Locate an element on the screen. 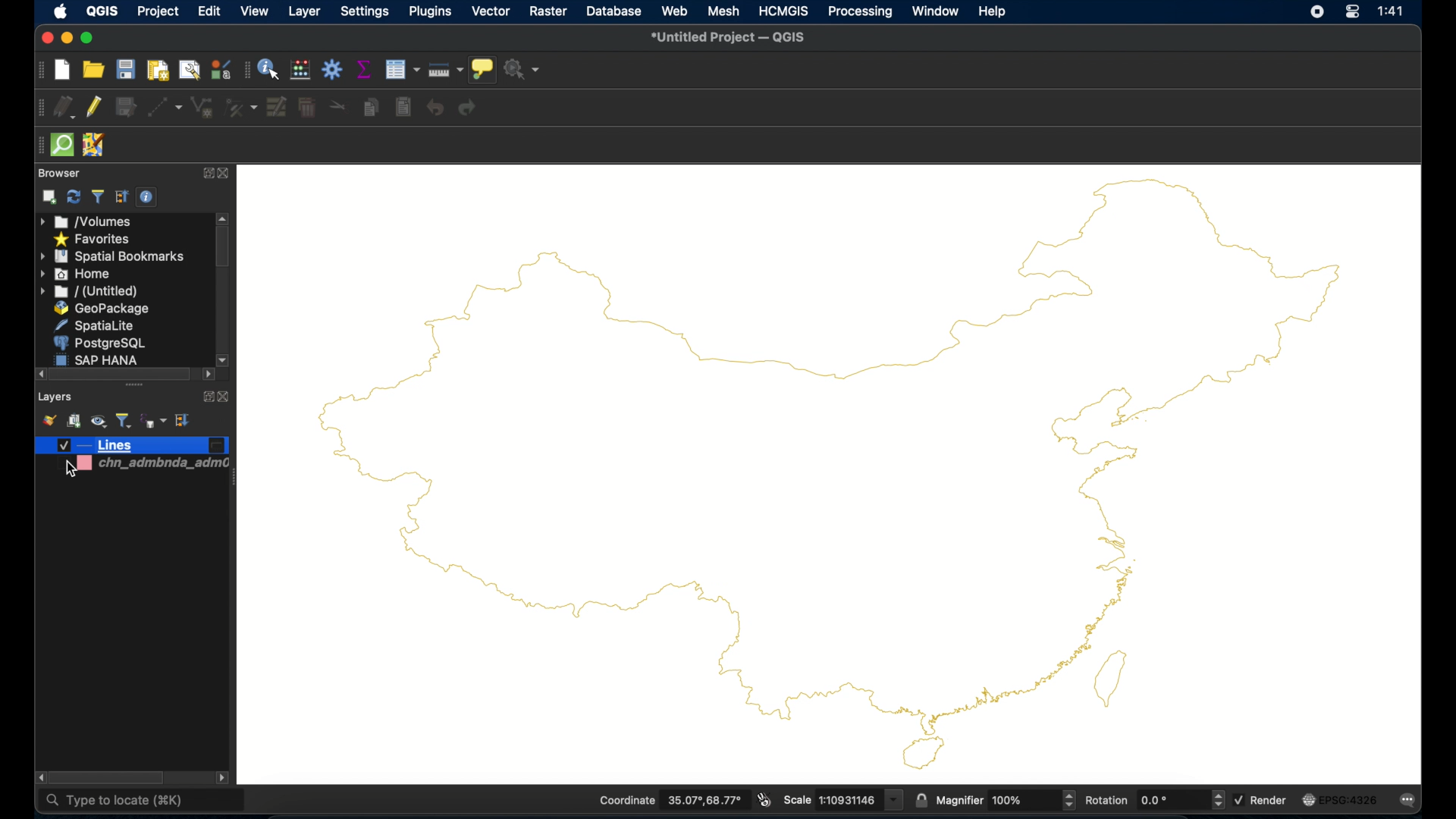 The height and width of the screenshot is (819, 1456). apple icon is located at coordinates (61, 12).